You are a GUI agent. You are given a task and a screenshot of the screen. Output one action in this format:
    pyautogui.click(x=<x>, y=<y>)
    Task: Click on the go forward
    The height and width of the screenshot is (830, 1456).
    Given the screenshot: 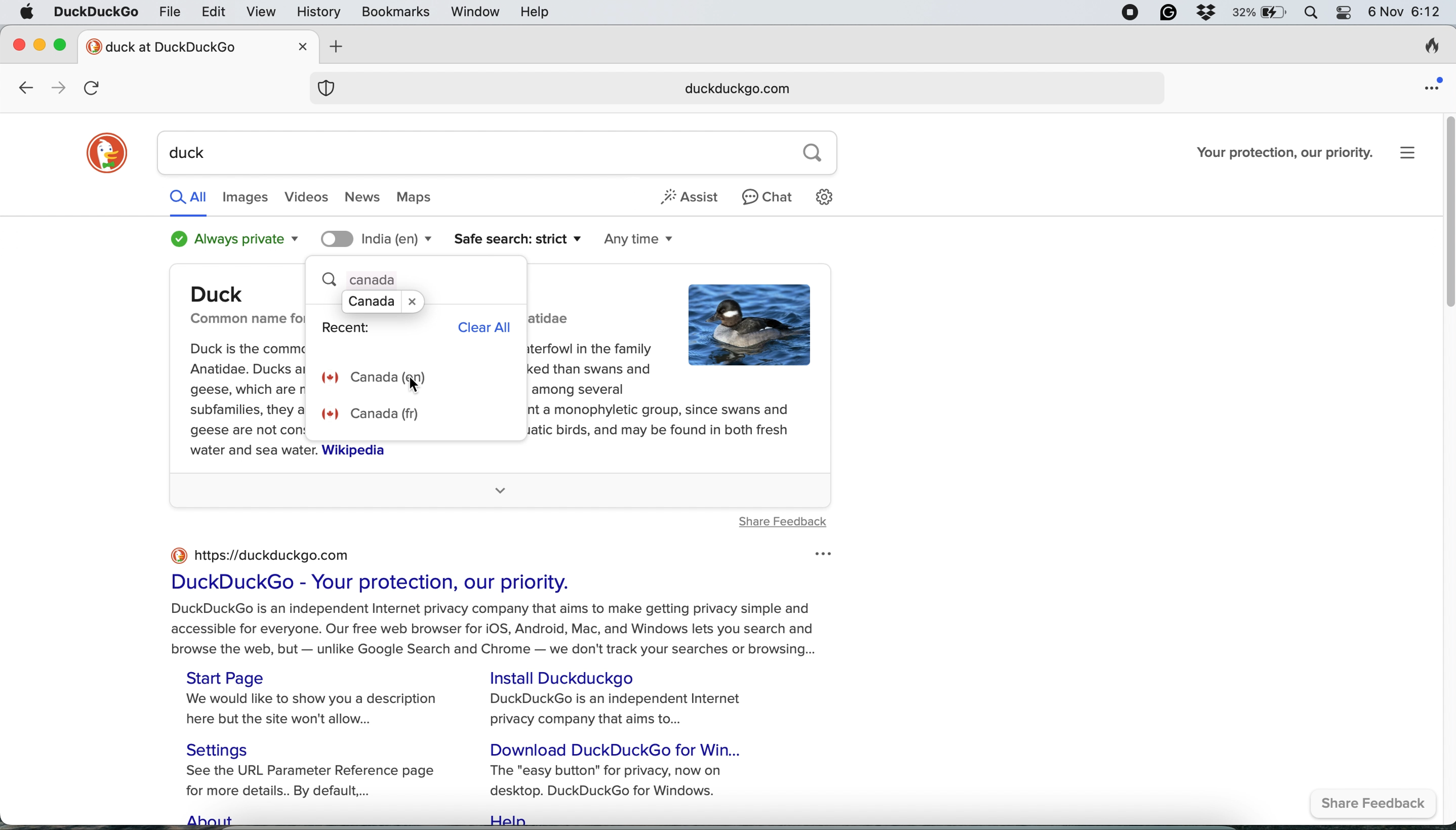 What is the action you would take?
    pyautogui.click(x=55, y=88)
    